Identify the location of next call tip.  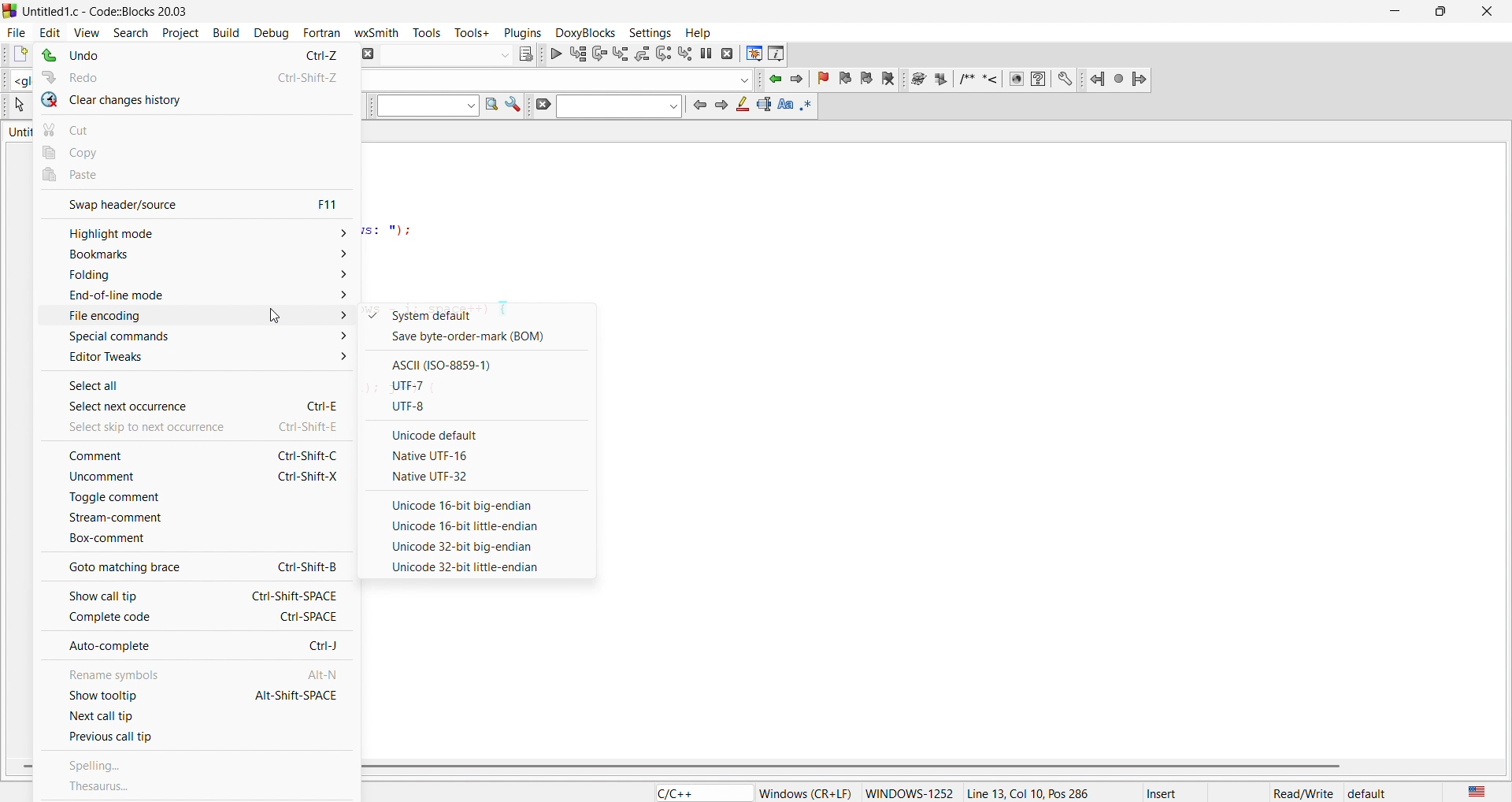
(197, 719).